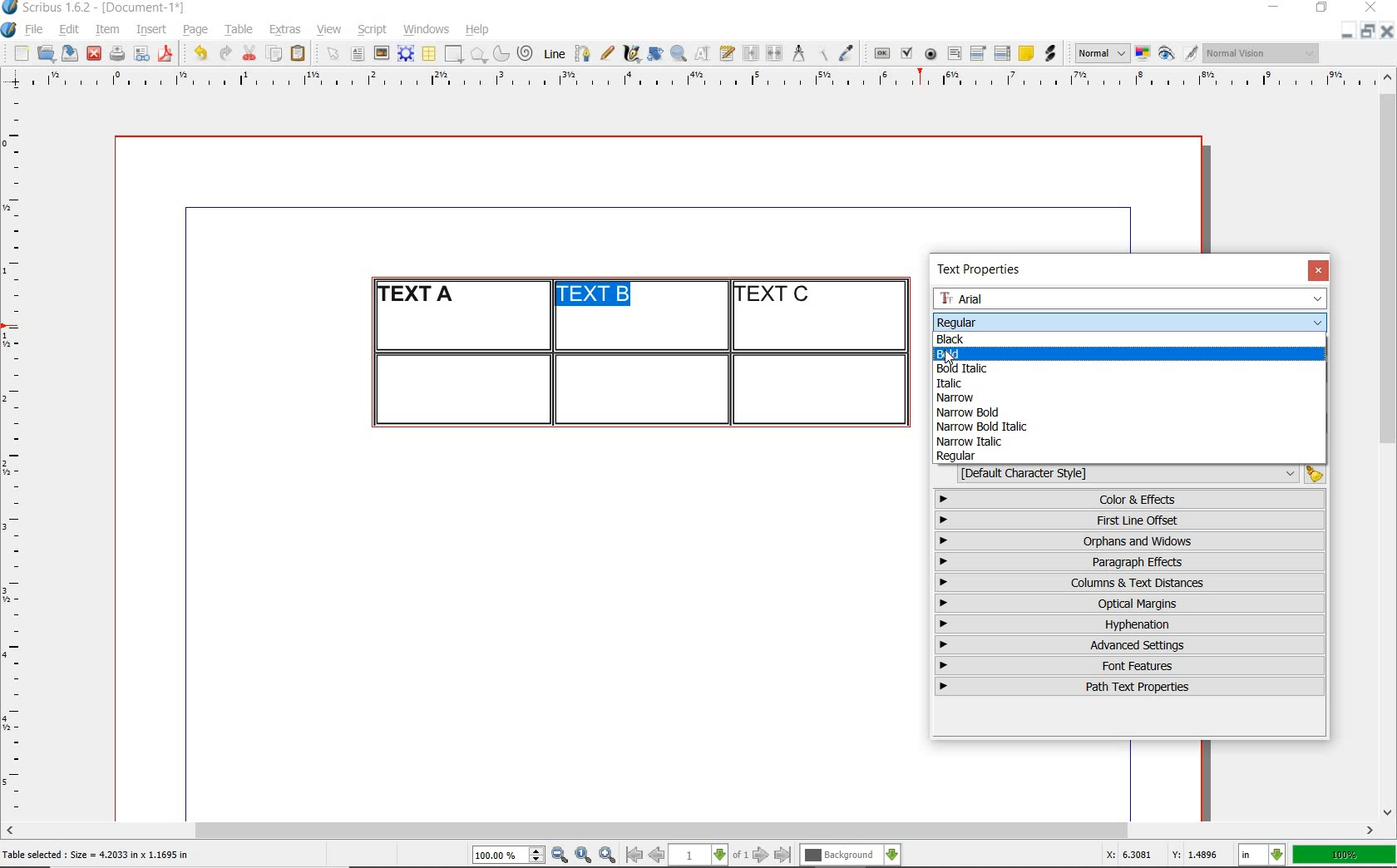  Describe the element at coordinates (1144, 55) in the screenshot. I see `toggle color management` at that location.